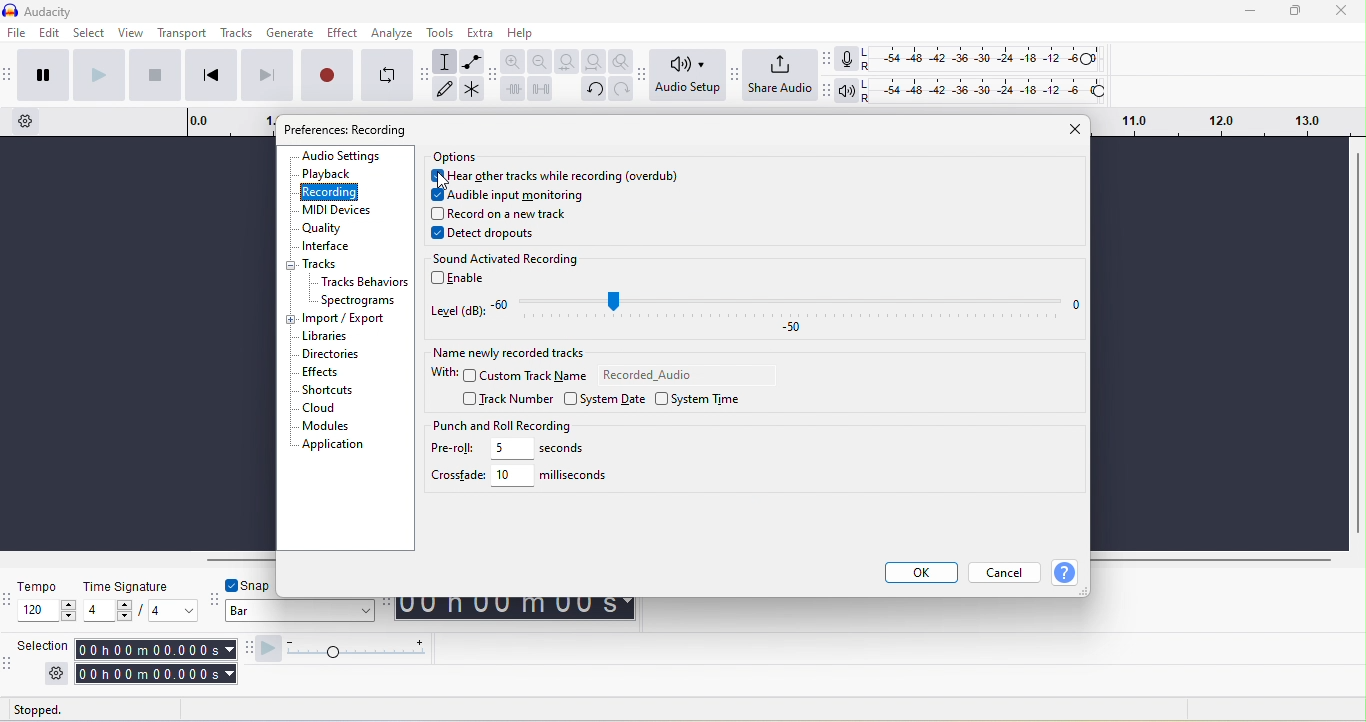 The image size is (1366, 722). I want to click on import/export, so click(341, 319).